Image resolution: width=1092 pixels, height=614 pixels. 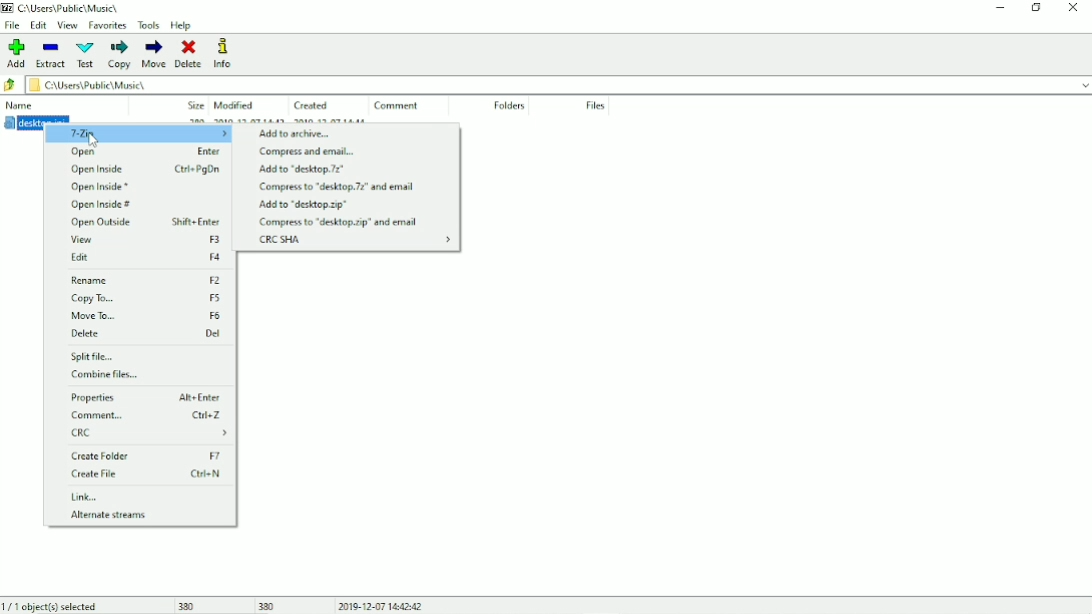 What do you see at coordinates (39, 25) in the screenshot?
I see `Edit` at bounding box center [39, 25].